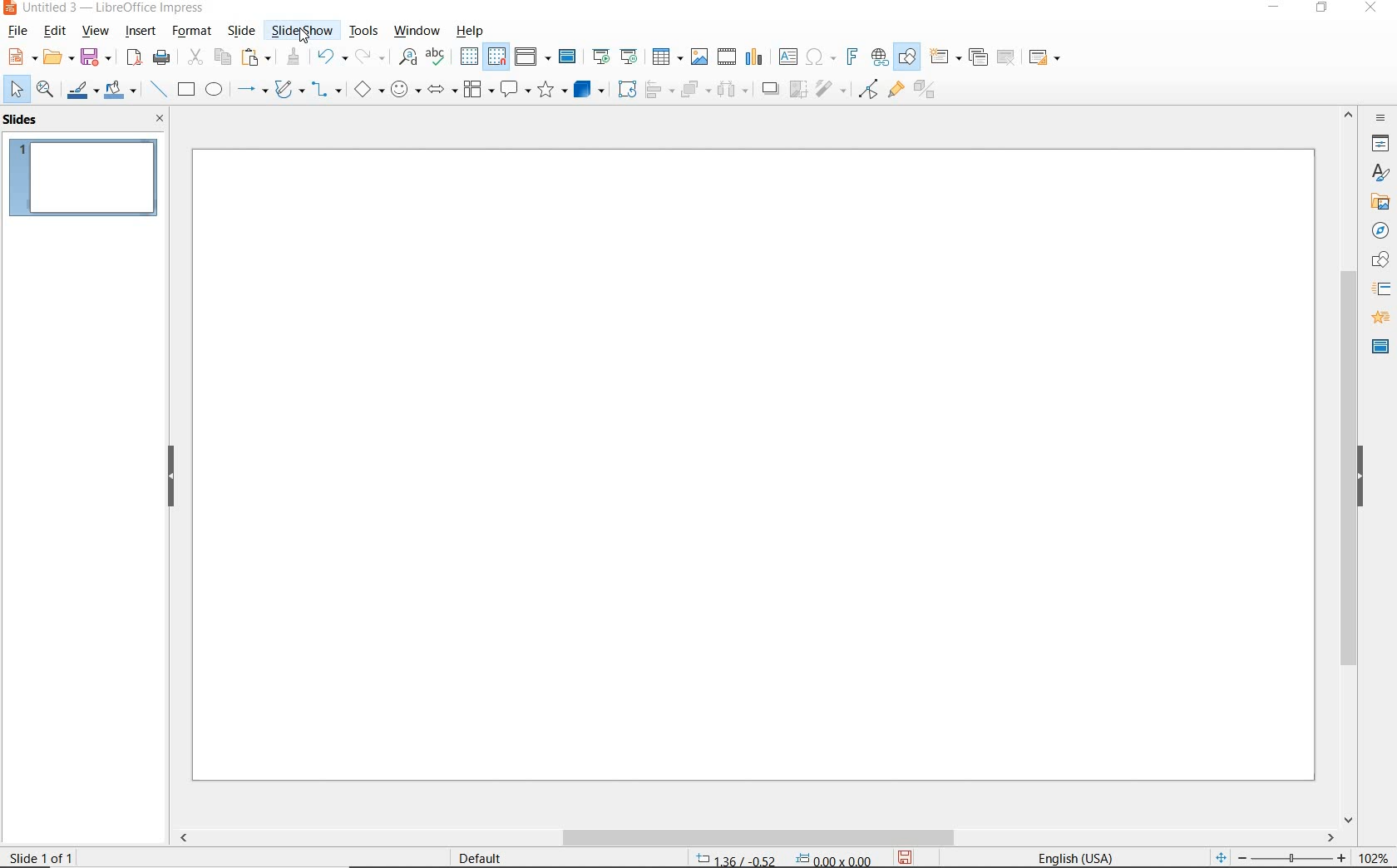 The image size is (1397, 868). Describe the element at coordinates (162, 58) in the screenshot. I see `PRINT` at that location.